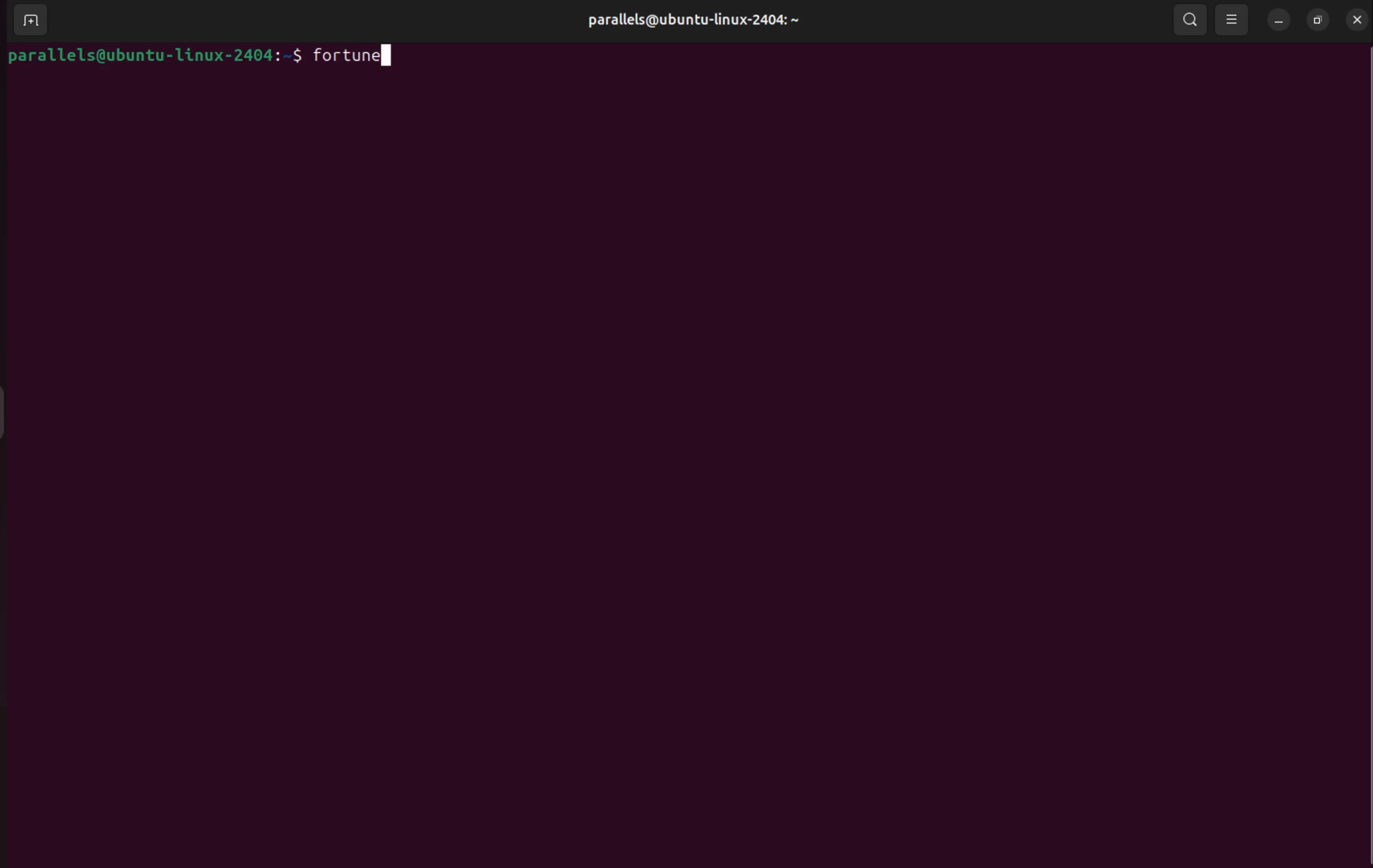 This screenshot has height=868, width=1373. What do you see at coordinates (152, 56) in the screenshot?
I see `bash prompt` at bounding box center [152, 56].